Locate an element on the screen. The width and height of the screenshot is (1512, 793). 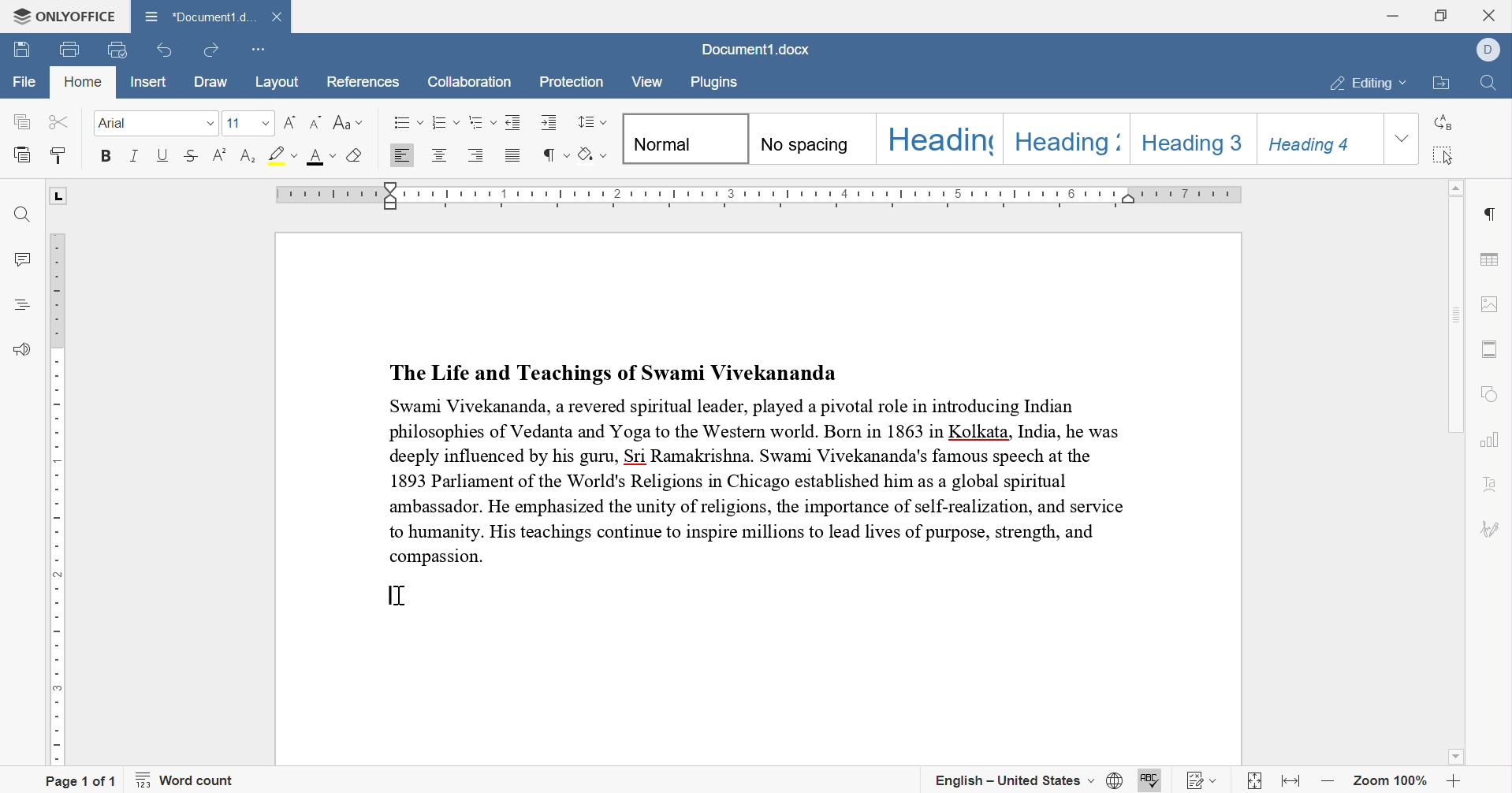
numbering is located at coordinates (445, 121).